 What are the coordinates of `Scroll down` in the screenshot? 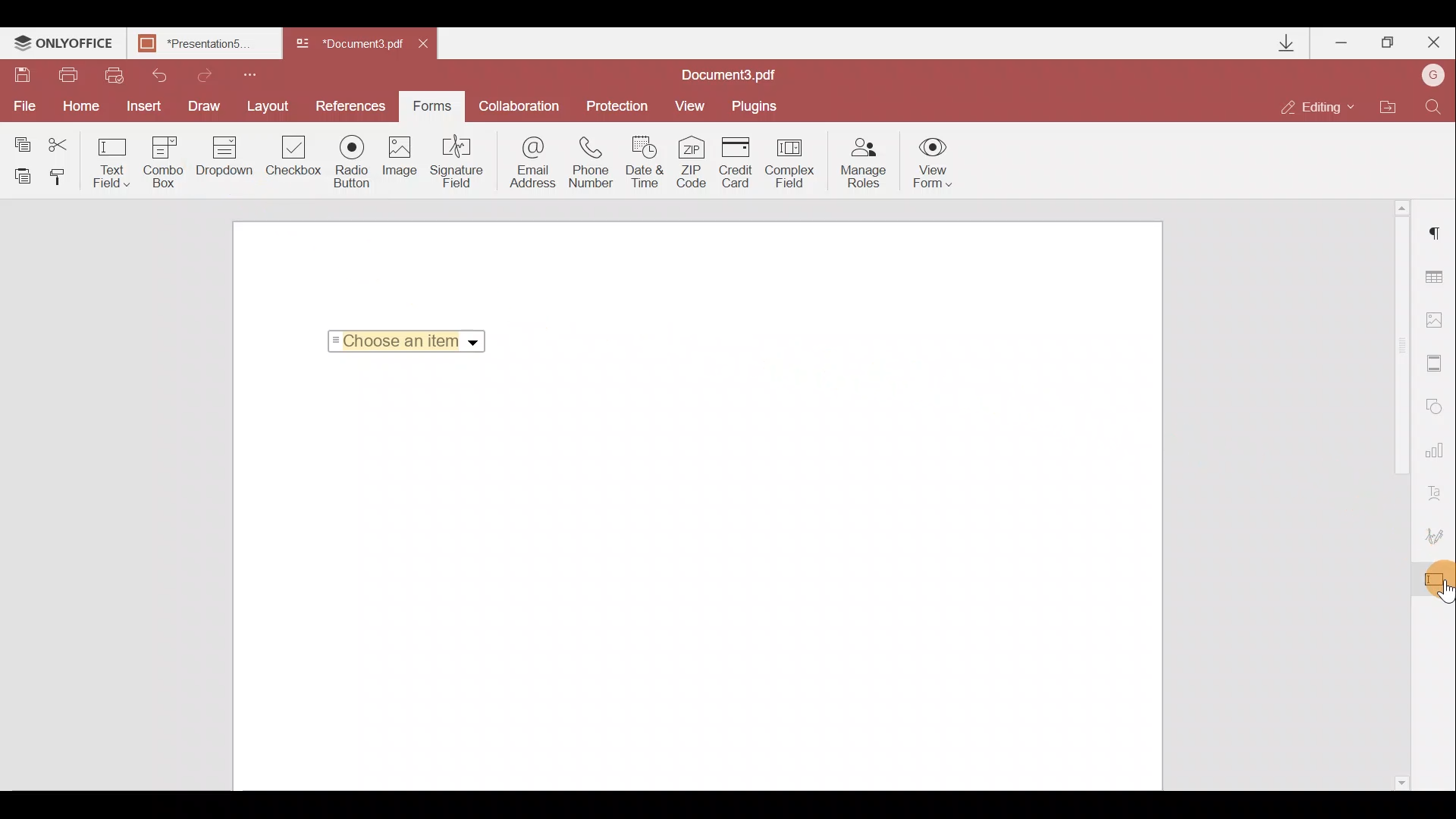 It's located at (1401, 783).